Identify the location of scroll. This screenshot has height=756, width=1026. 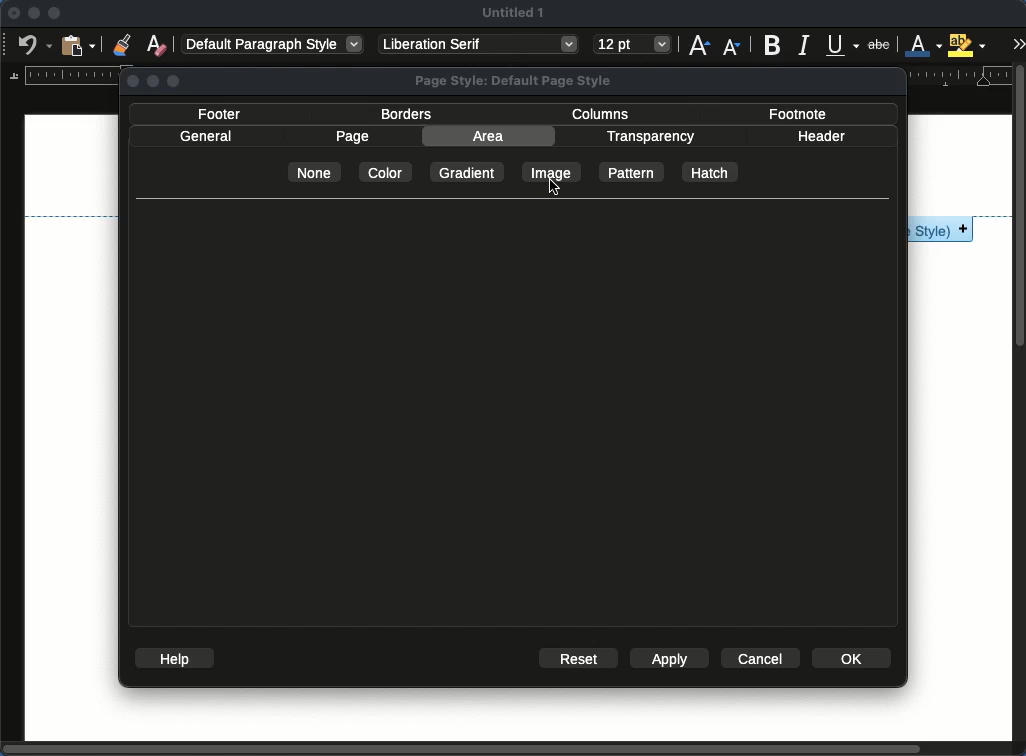
(1021, 410).